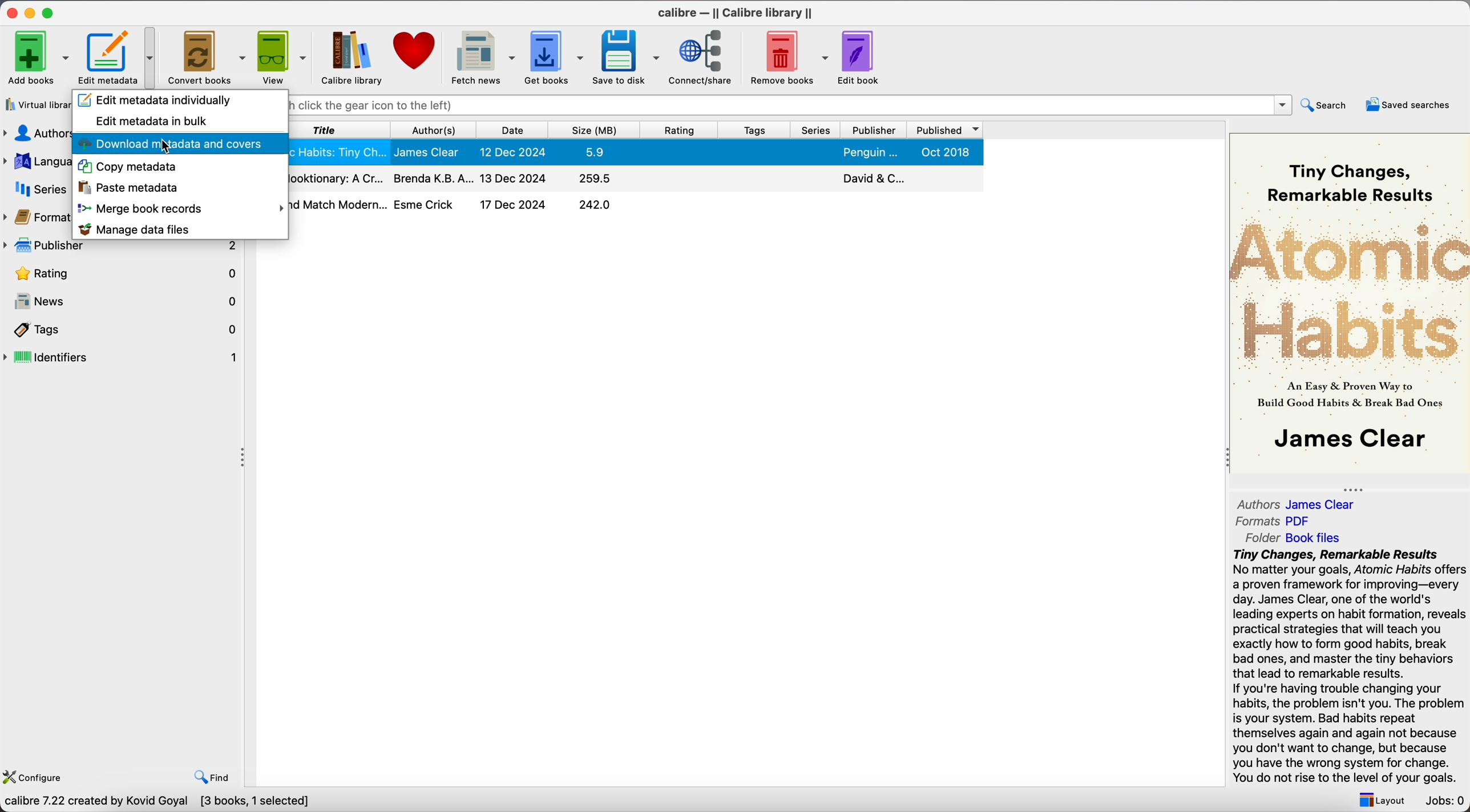 This screenshot has width=1470, height=812. I want to click on 259.5, so click(597, 179).